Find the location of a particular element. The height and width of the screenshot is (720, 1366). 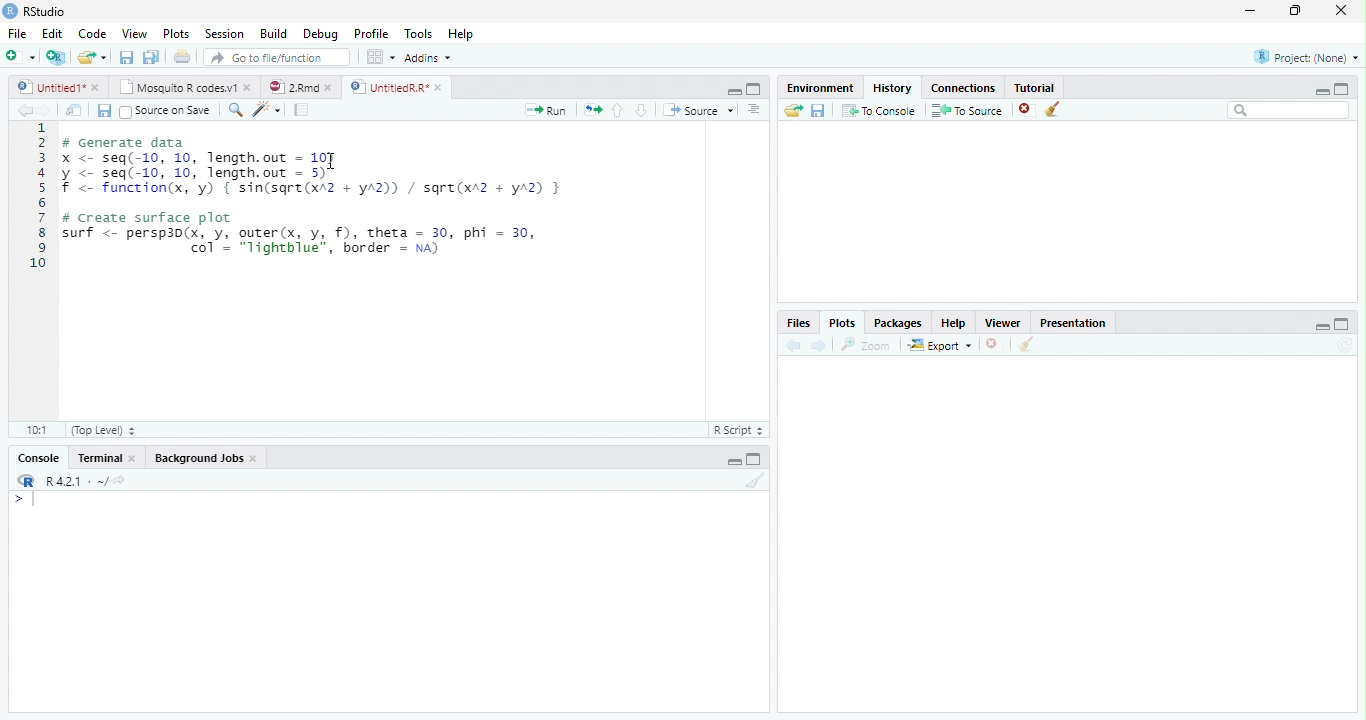

Profile is located at coordinates (372, 33).